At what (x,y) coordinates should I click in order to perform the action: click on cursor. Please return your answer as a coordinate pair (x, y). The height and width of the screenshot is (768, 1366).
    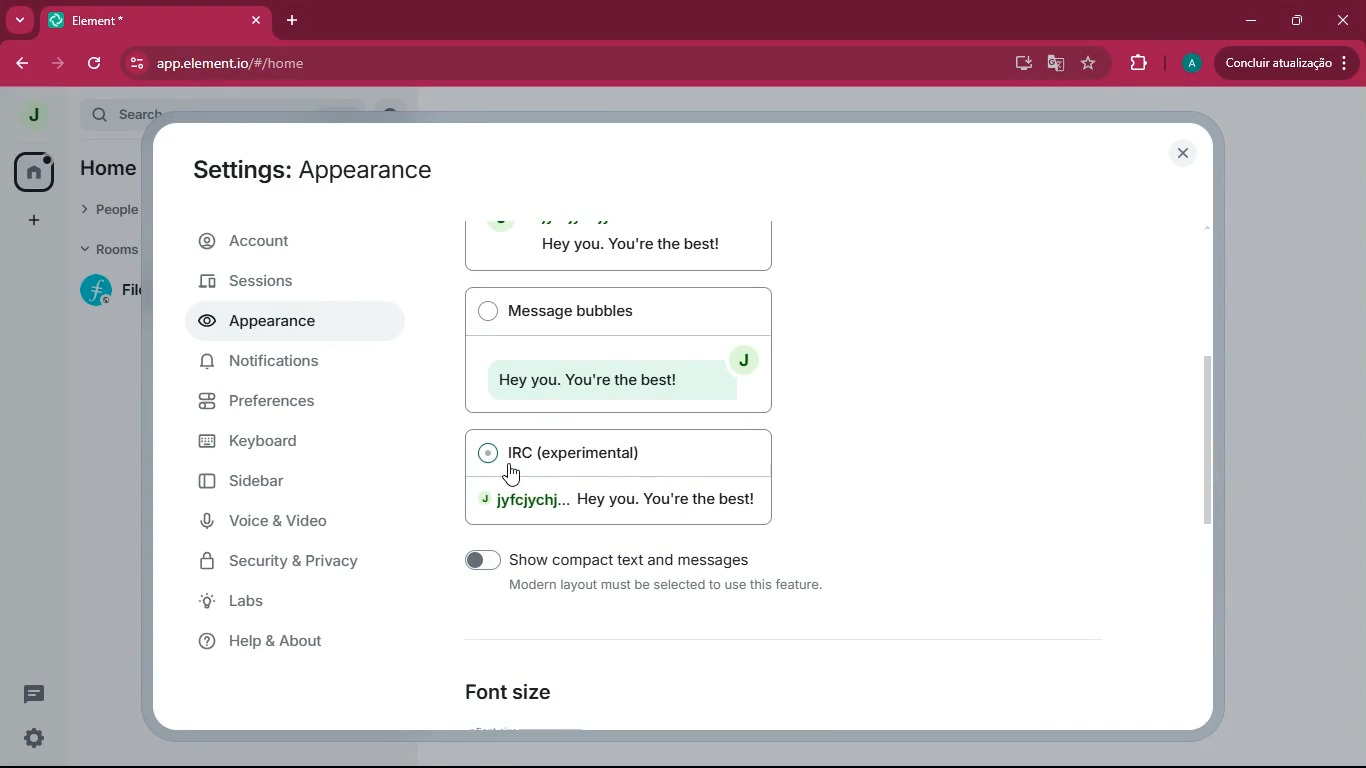
    Looking at the image, I should click on (503, 466).